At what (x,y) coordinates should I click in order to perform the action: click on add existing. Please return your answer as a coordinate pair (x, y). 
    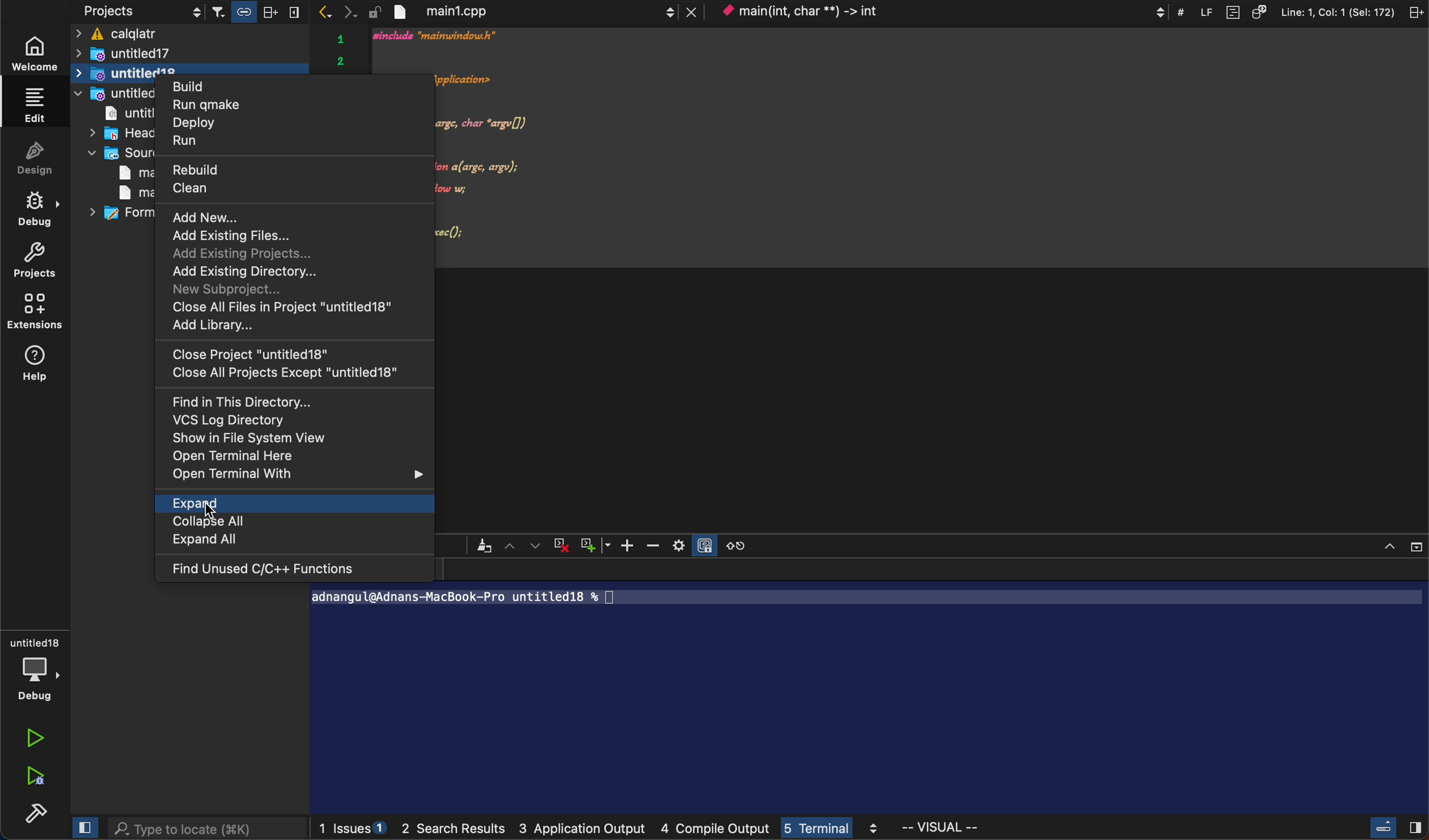
    Looking at the image, I should click on (248, 236).